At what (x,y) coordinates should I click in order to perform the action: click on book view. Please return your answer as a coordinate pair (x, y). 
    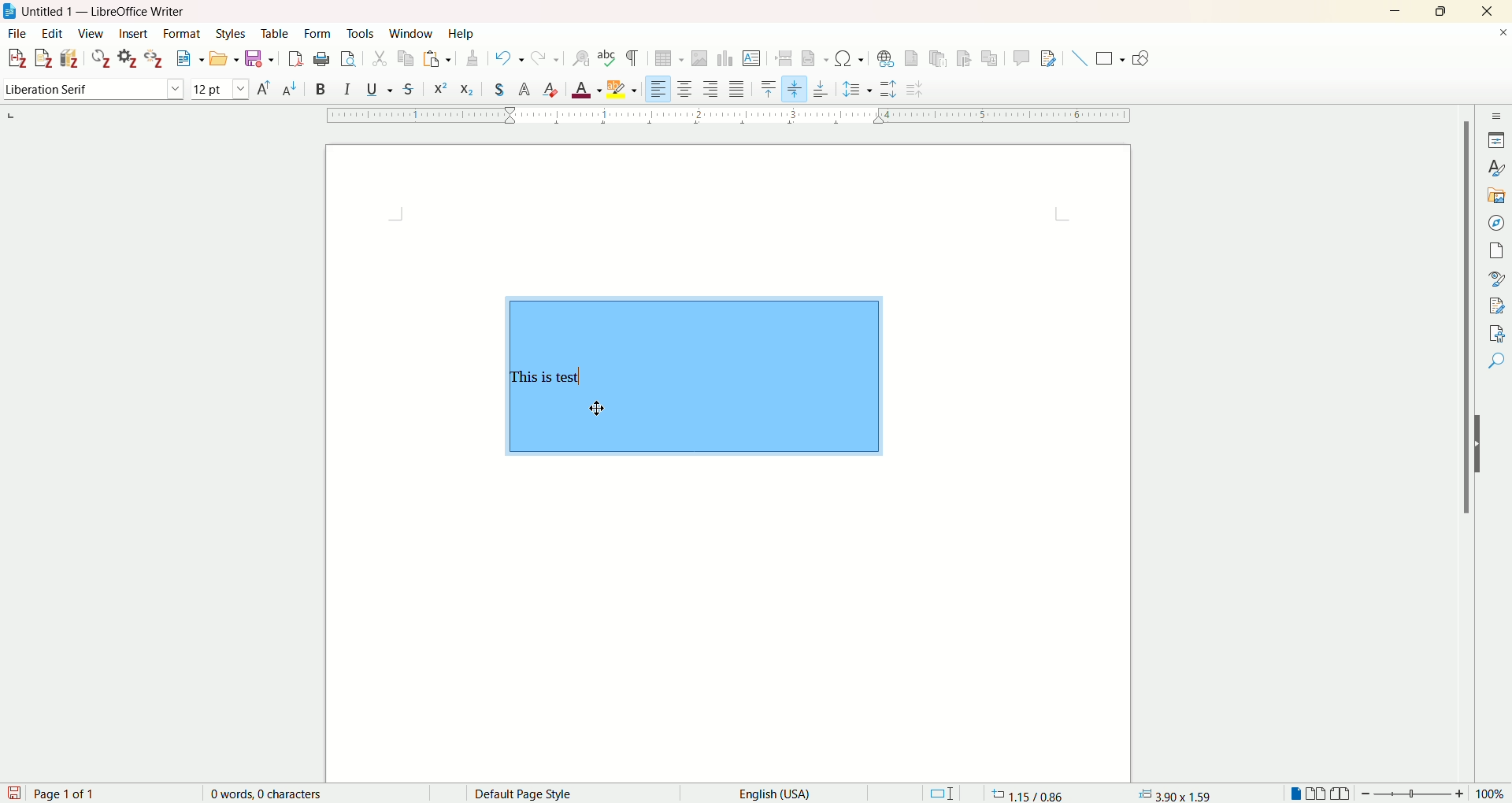
    Looking at the image, I should click on (1342, 793).